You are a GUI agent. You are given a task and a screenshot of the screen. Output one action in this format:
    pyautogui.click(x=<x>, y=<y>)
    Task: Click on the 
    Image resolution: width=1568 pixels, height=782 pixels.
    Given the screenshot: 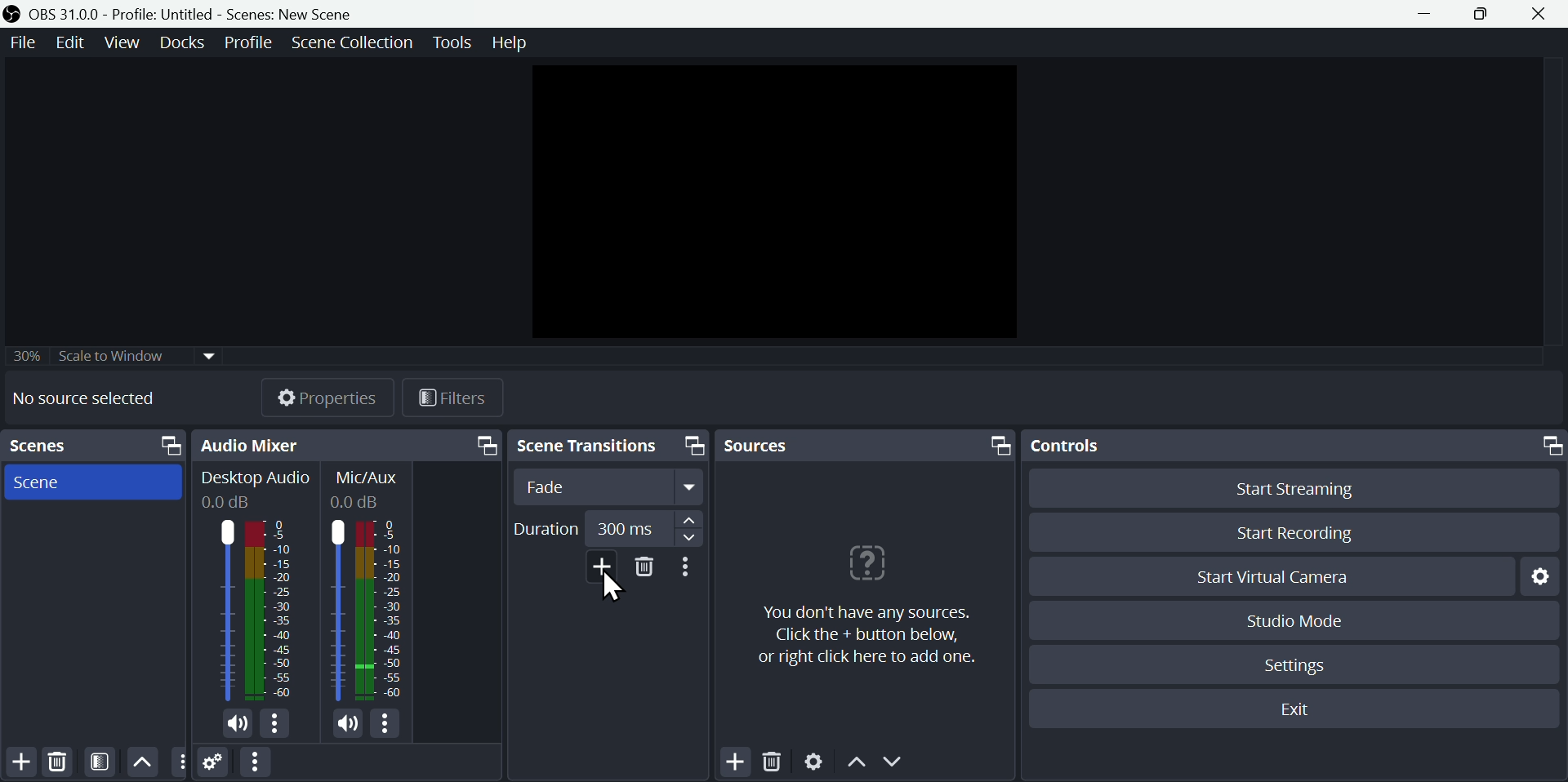 What is the action you would take?
    pyautogui.click(x=450, y=40)
    